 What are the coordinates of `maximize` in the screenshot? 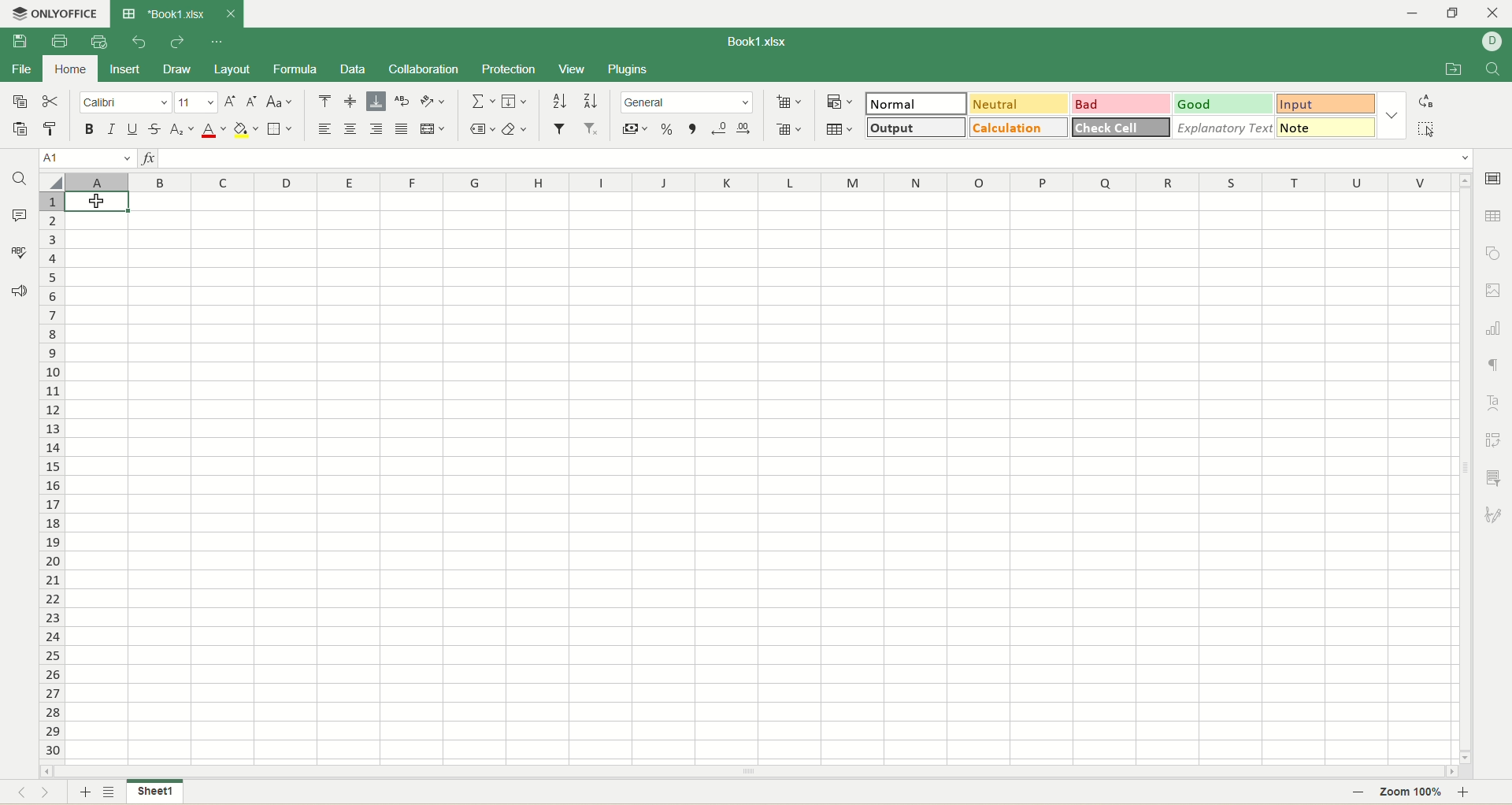 It's located at (1457, 12).